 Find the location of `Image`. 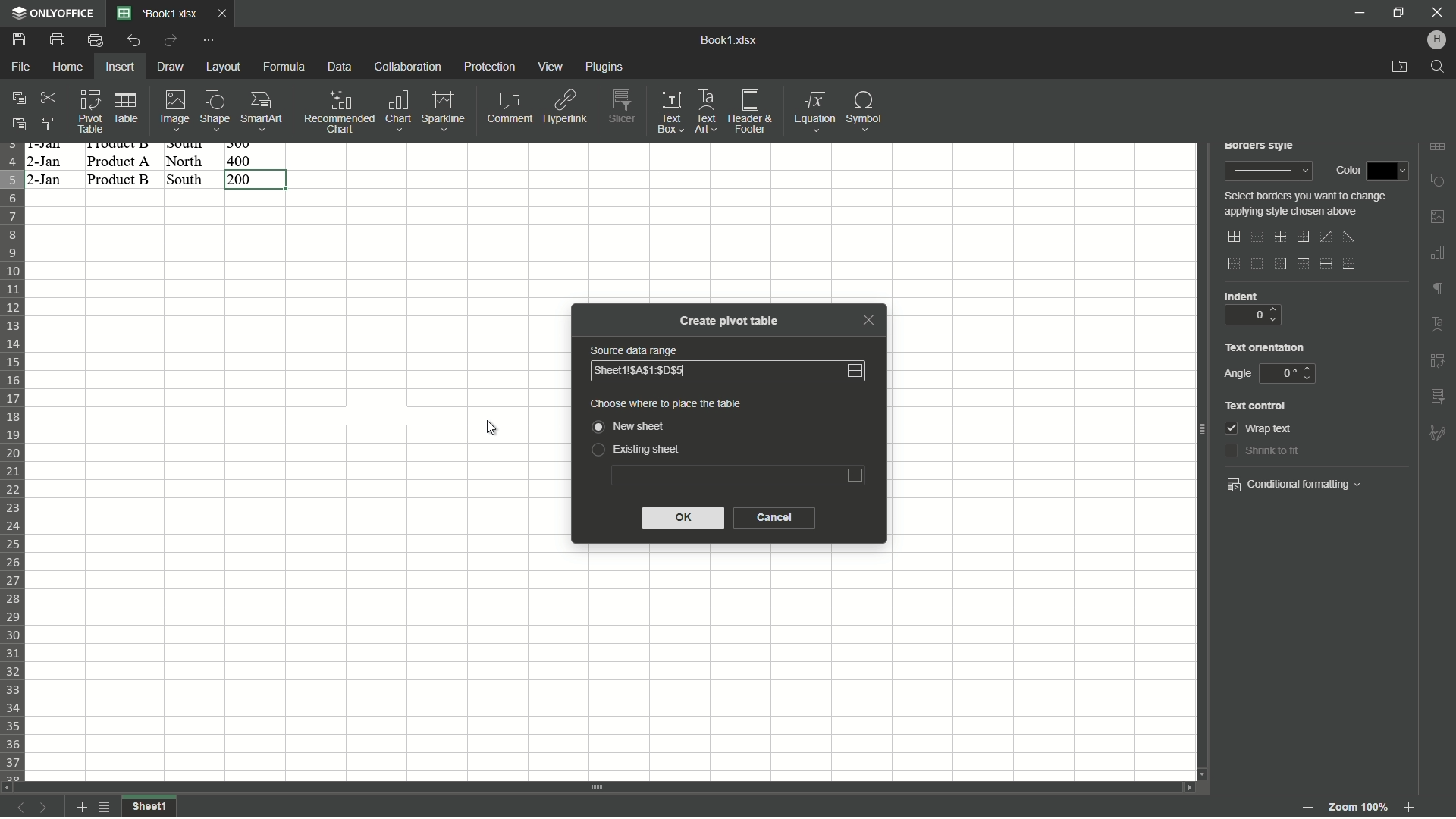

Image is located at coordinates (177, 112).